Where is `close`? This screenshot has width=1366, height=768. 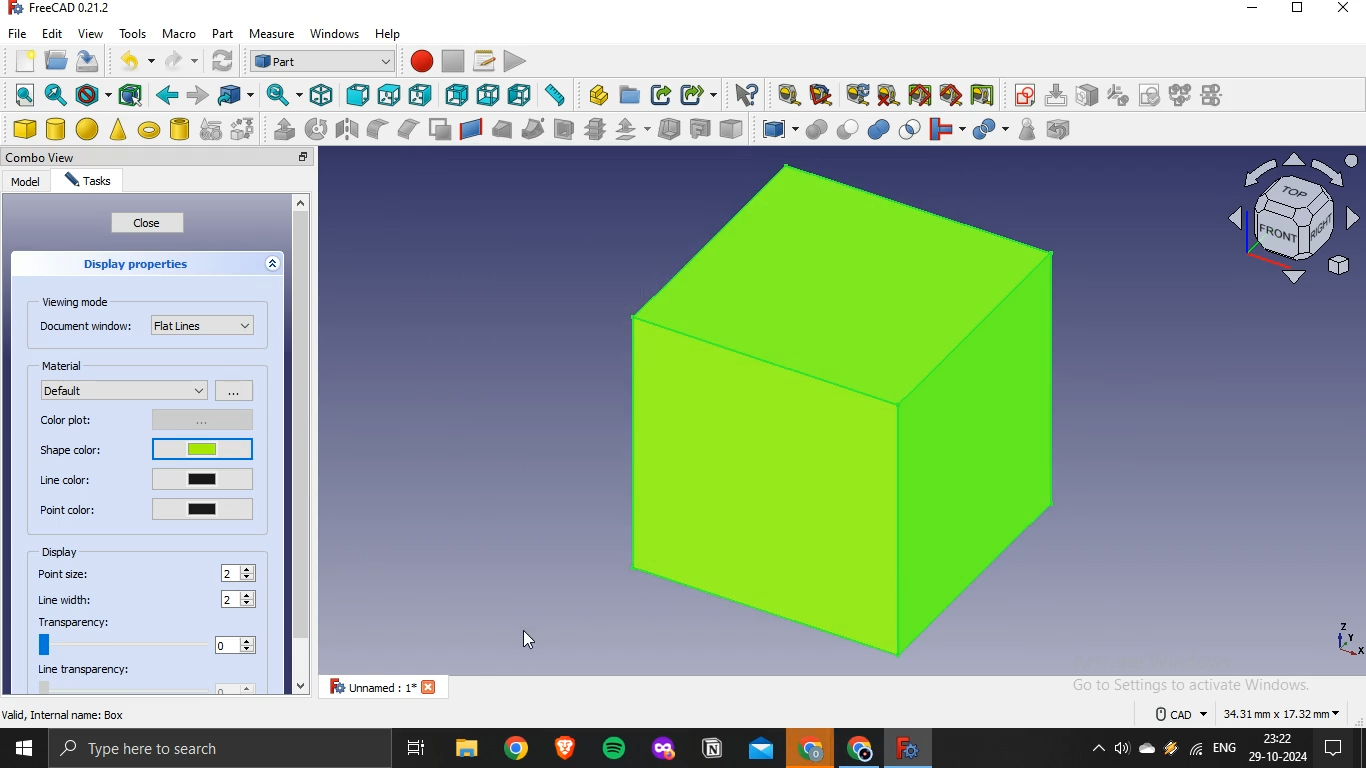 close is located at coordinates (1345, 9).